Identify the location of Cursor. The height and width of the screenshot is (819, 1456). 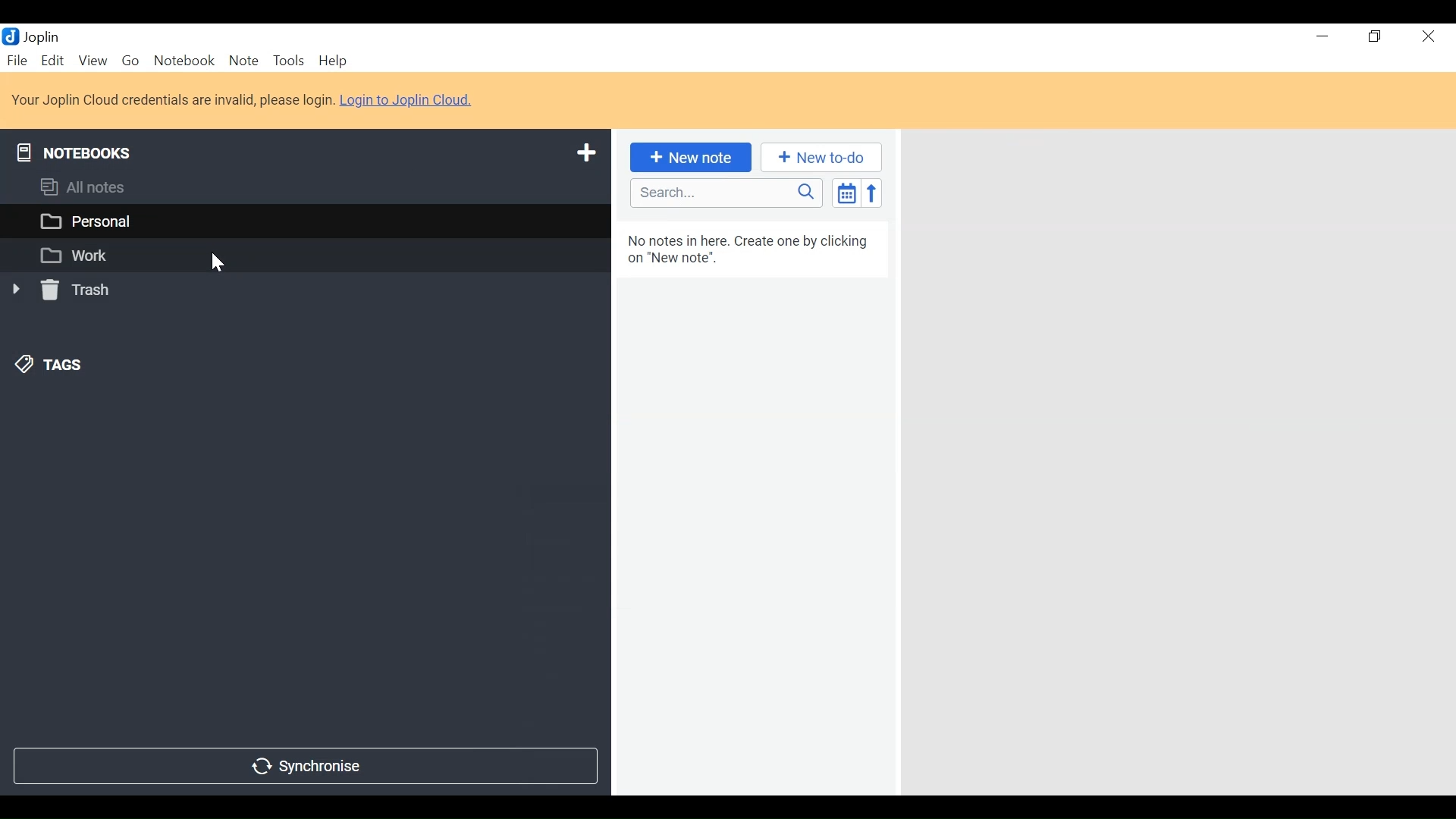
(221, 263).